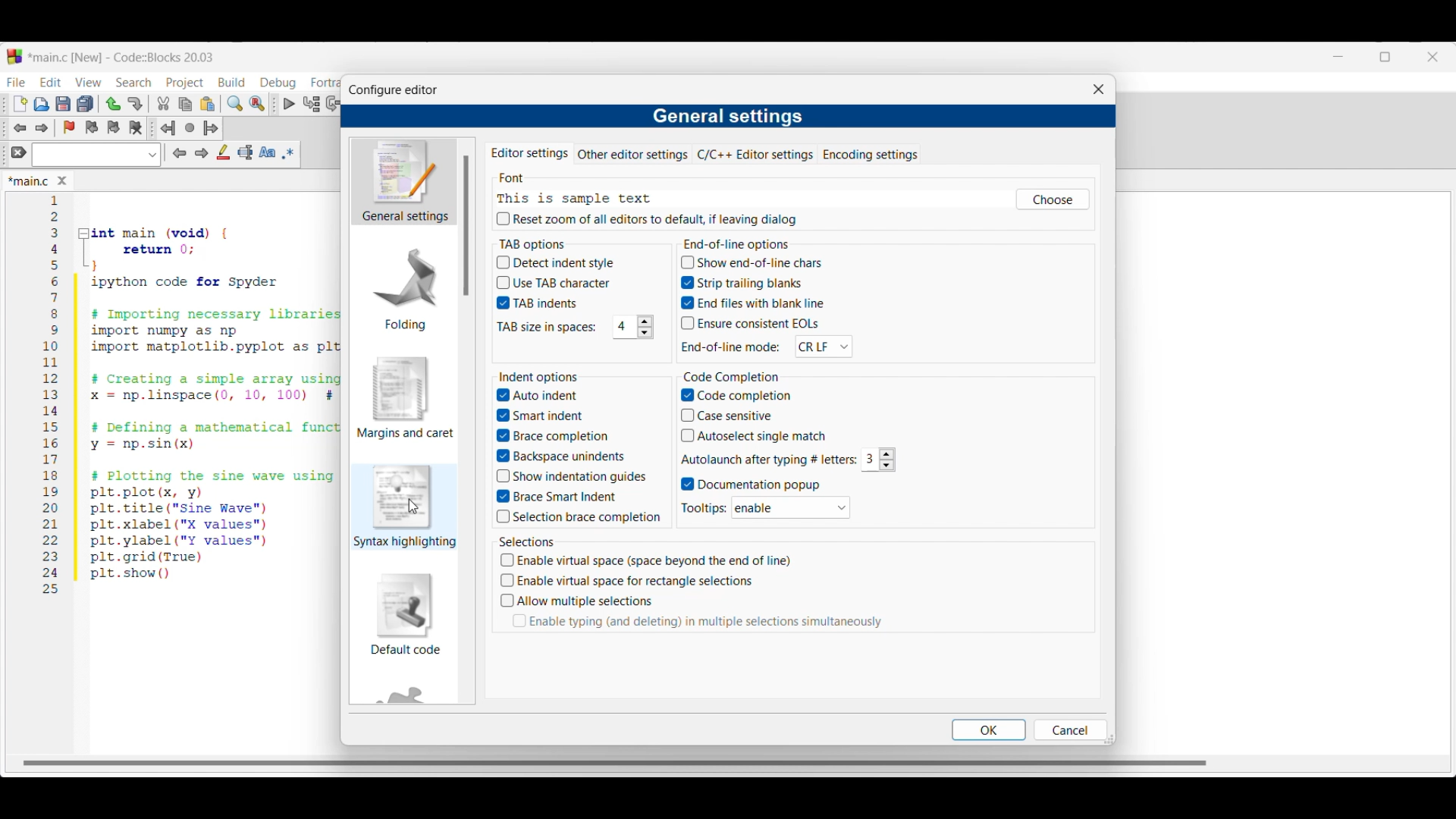 The image size is (1456, 819). Describe the element at coordinates (544, 303) in the screenshot. I see `TAB indents` at that location.